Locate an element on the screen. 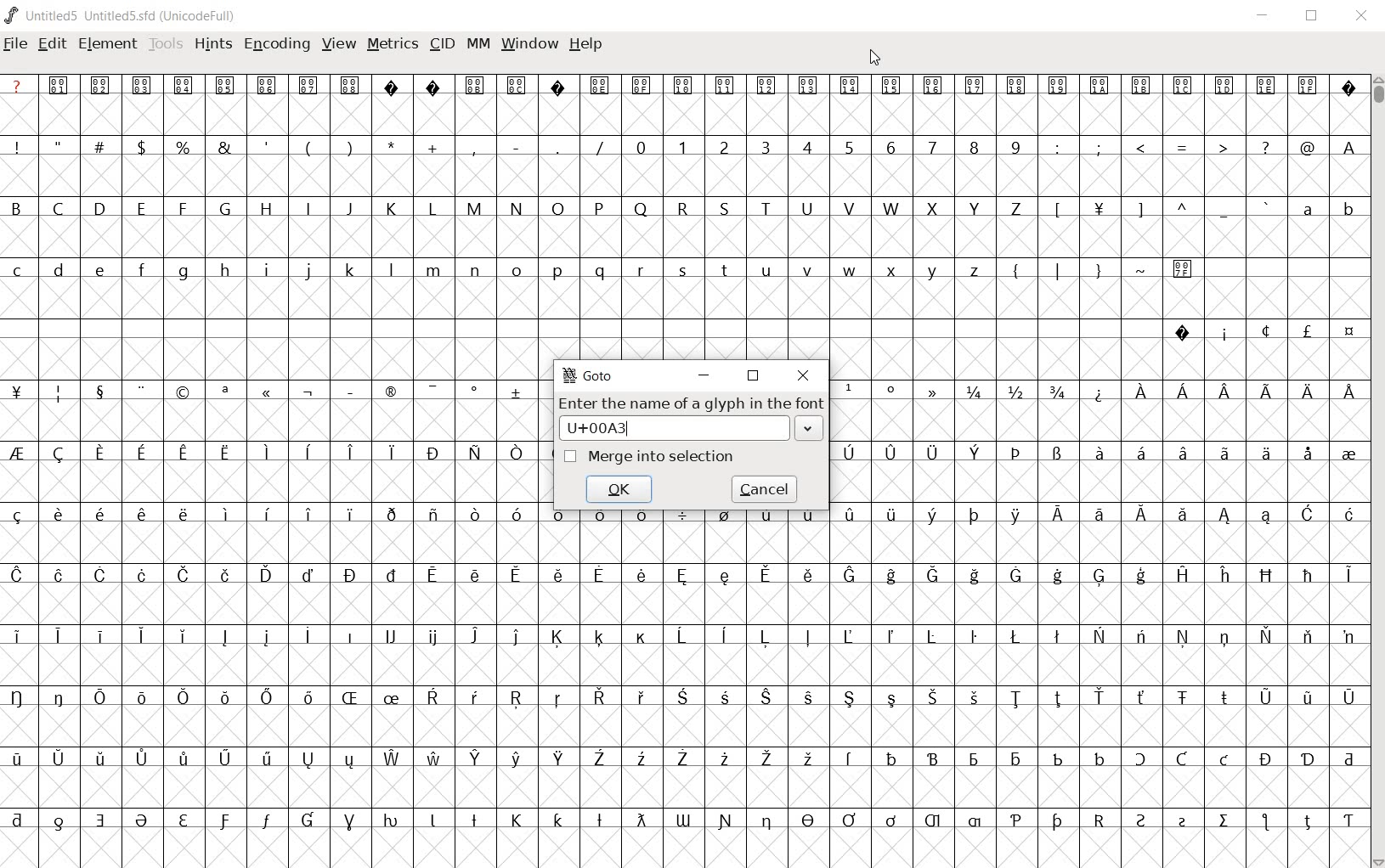  Symbol is located at coordinates (433, 85).